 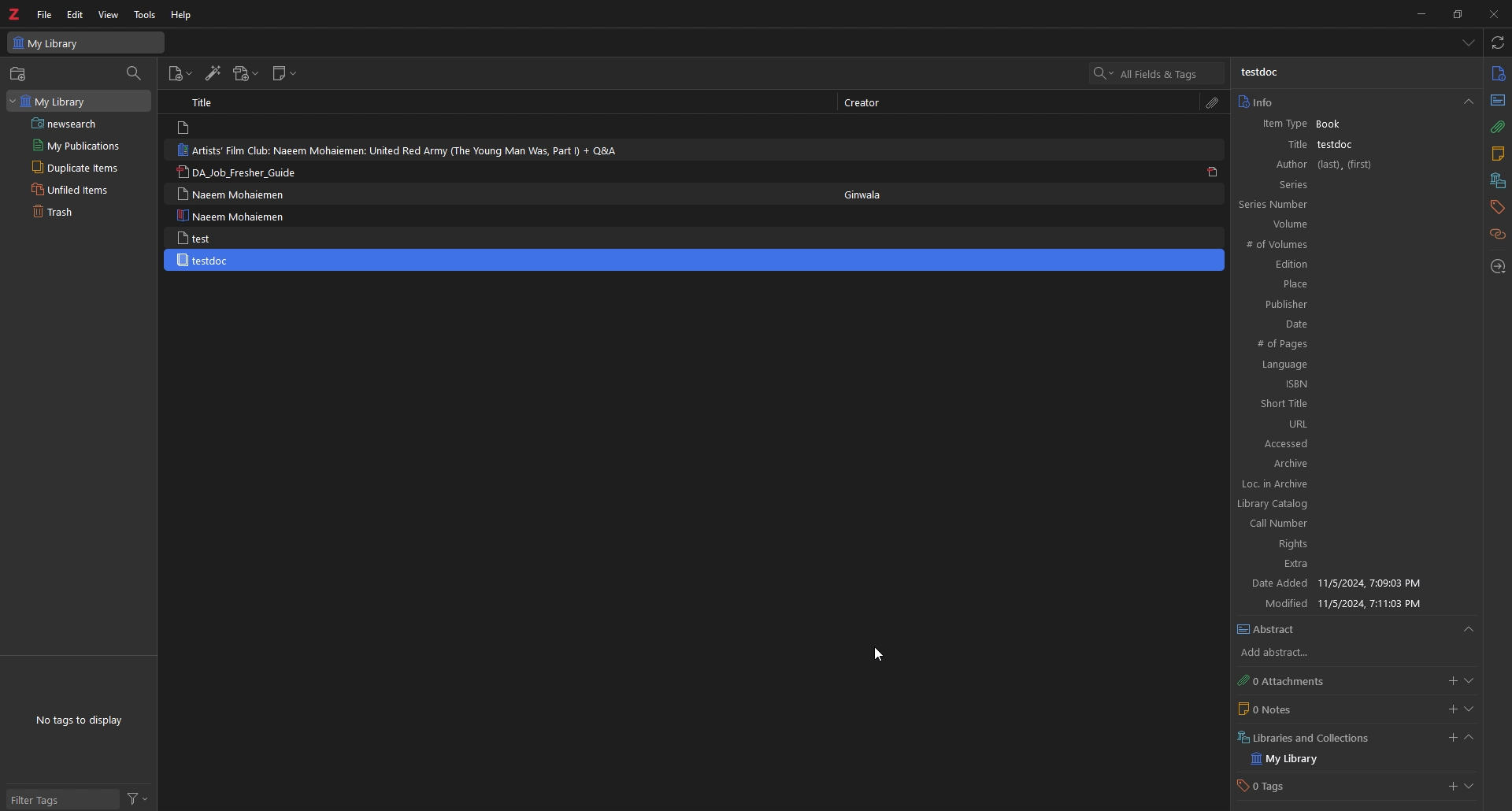 What do you see at coordinates (1341, 524) in the screenshot?
I see `Call Number` at bounding box center [1341, 524].